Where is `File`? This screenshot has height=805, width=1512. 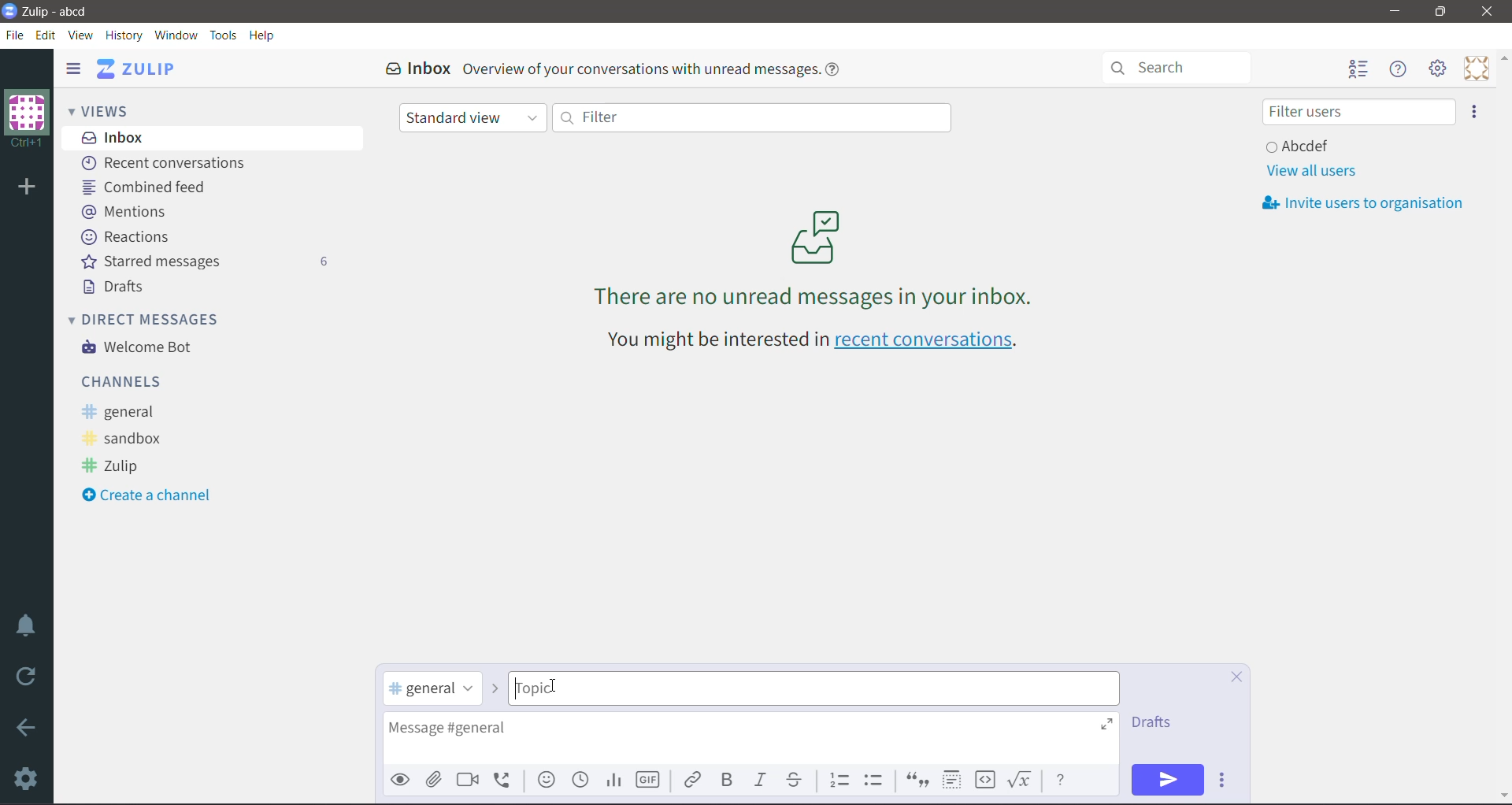
File is located at coordinates (15, 35).